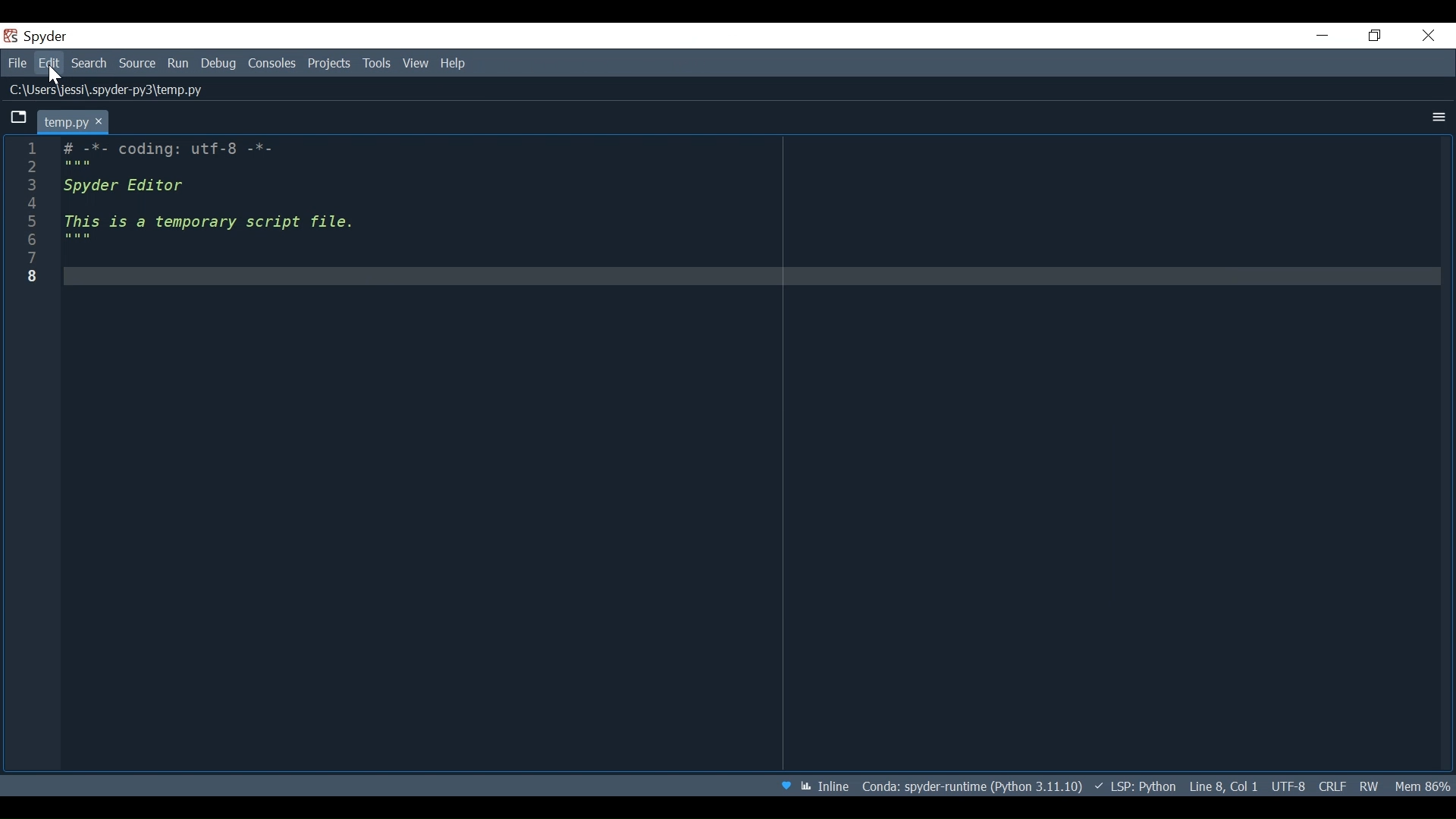 The image size is (1456, 819). I want to click on Cursor Position, so click(1222, 784).